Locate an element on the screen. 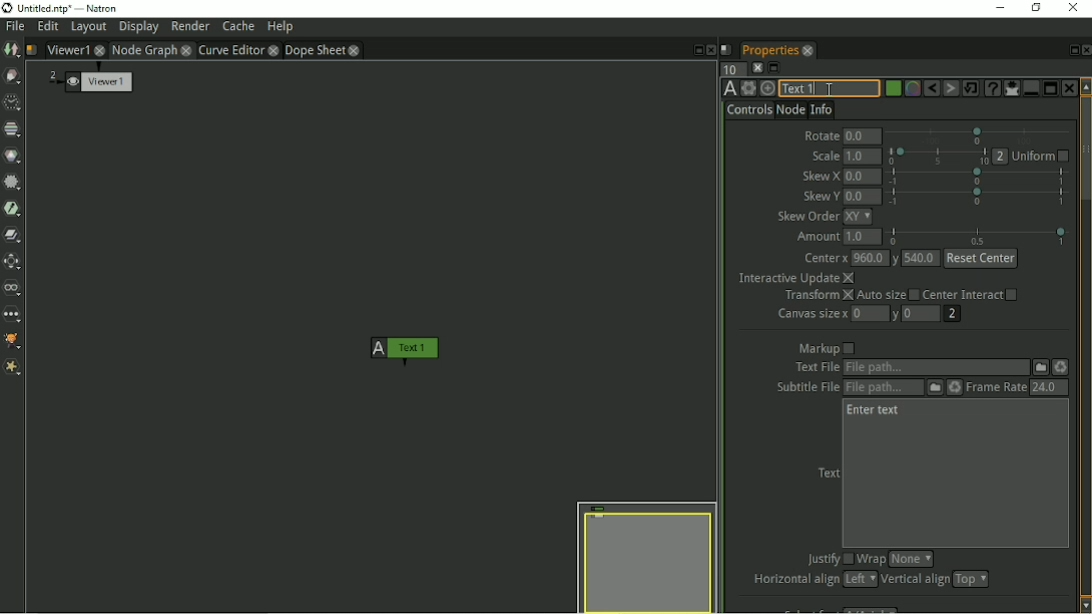 Image resolution: width=1092 pixels, height=614 pixels.  Restore down is located at coordinates (1036, 8).